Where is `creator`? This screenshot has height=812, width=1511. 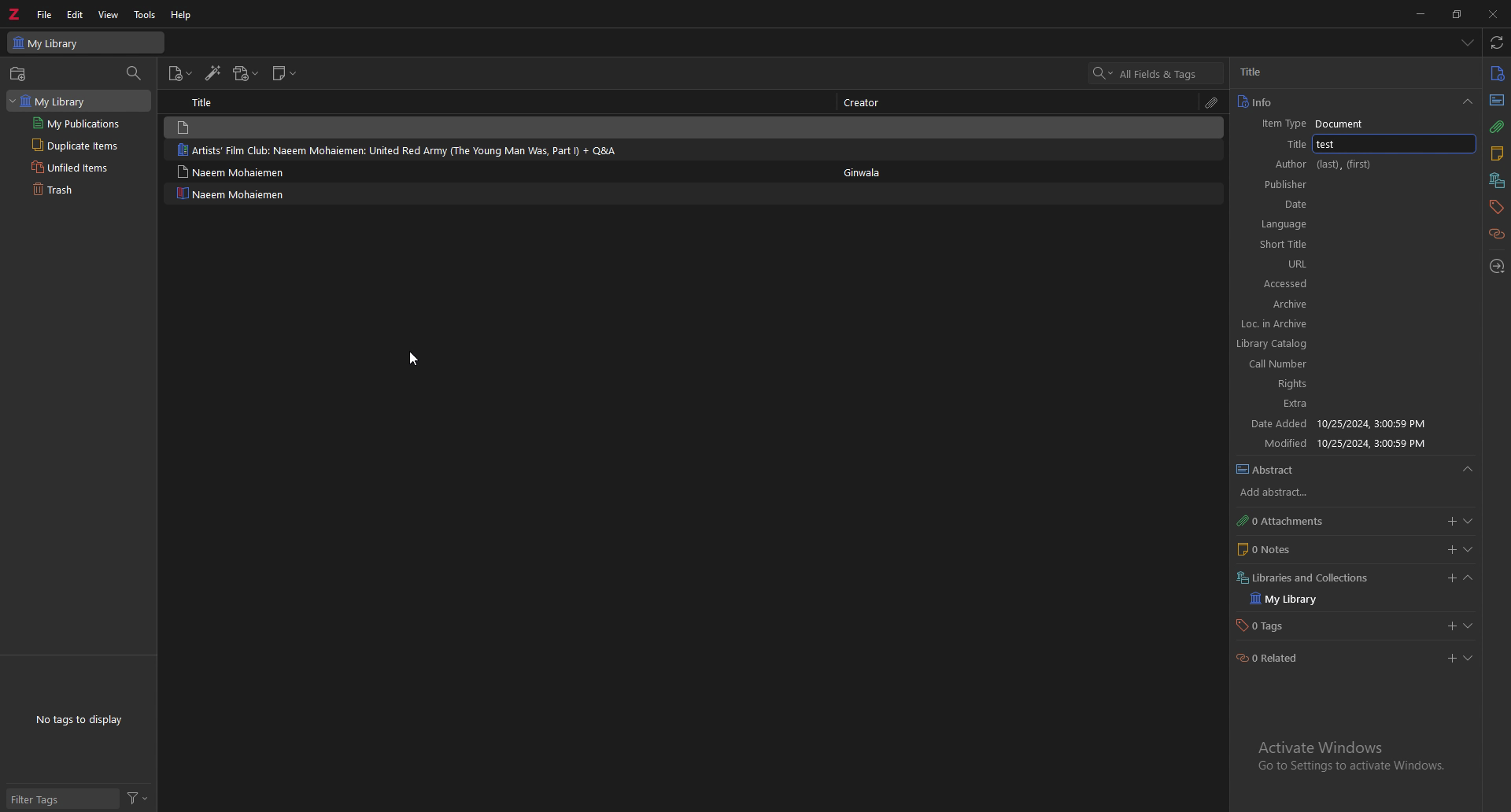
creator is located at coordinates (866, 101).